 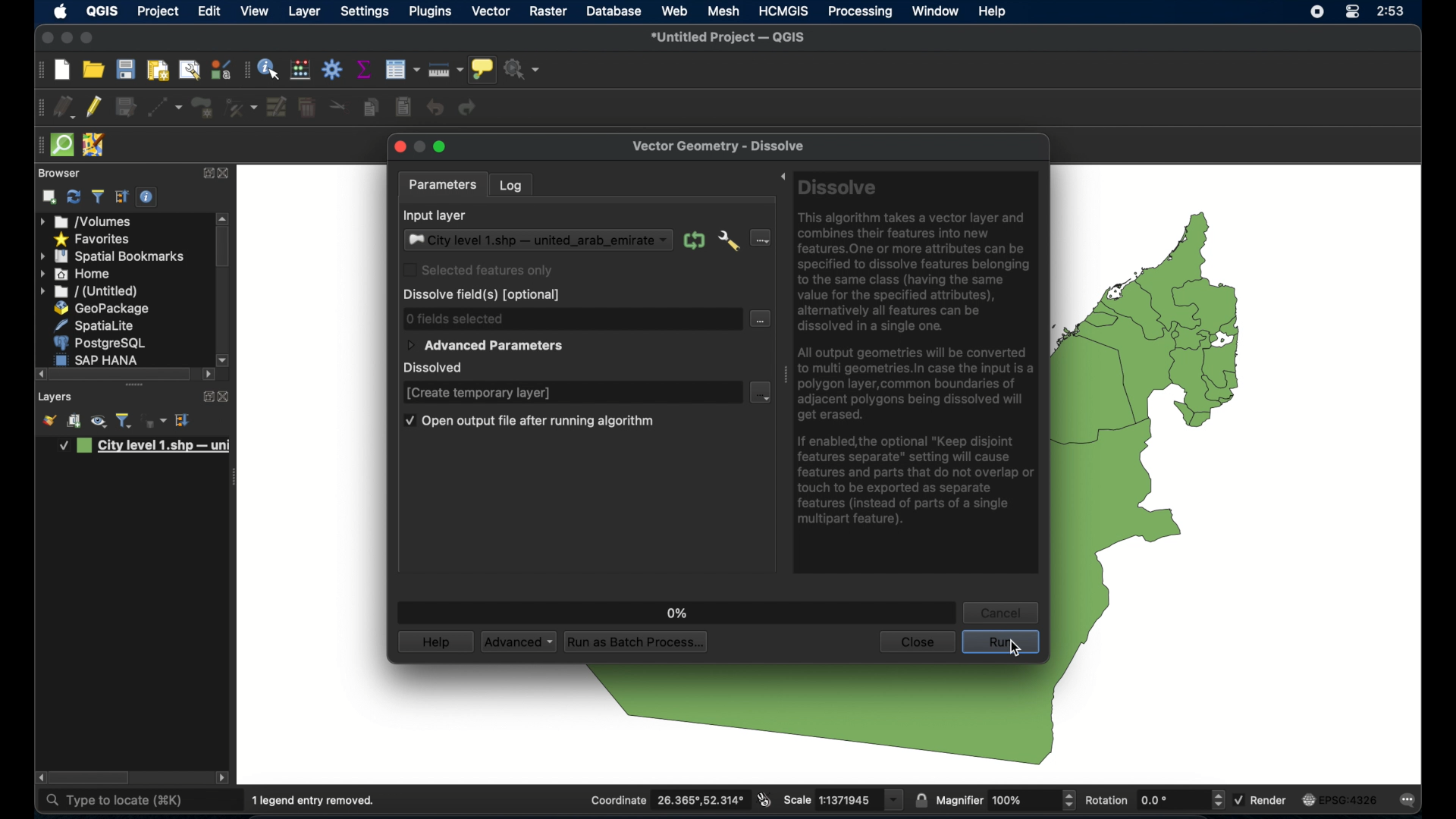 What do you see at coordinates (270, 70) in the screenshot?
I see `identify feature` at bounding box center [270, 70].